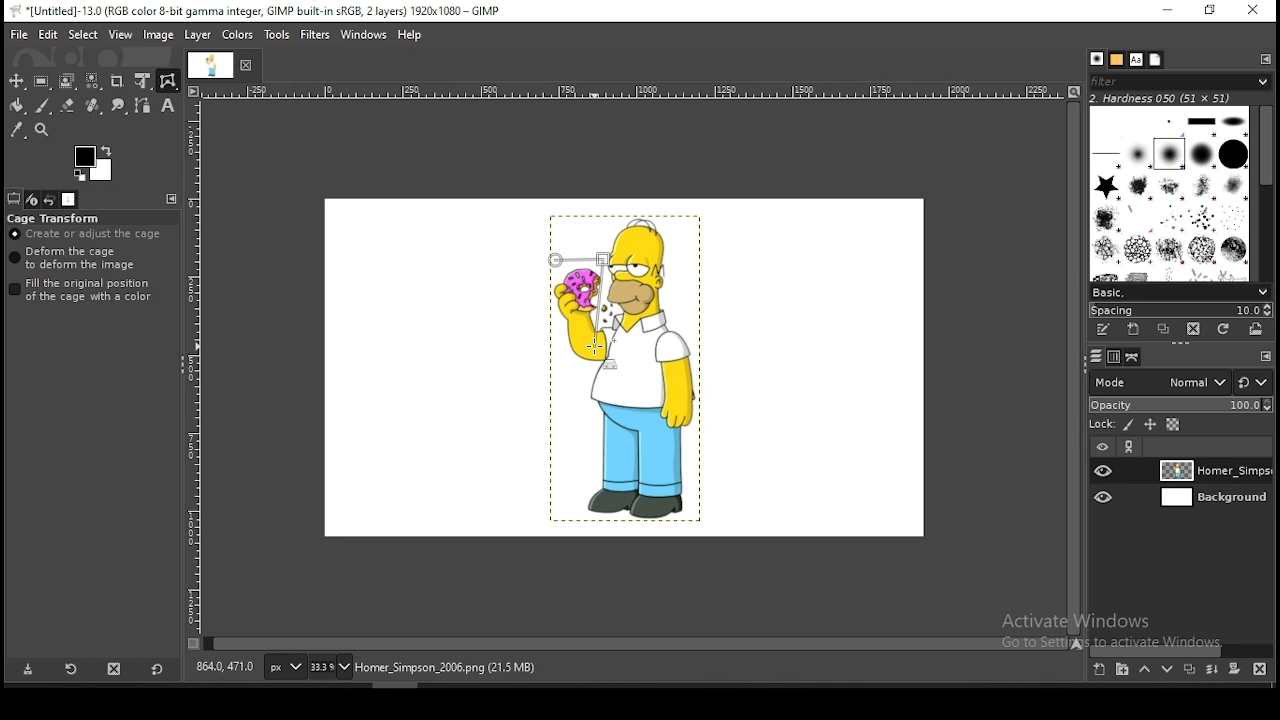  What do you see at coordinates (70, 200) in the screenshot?
I see `images` at bounding box center [70, 200].